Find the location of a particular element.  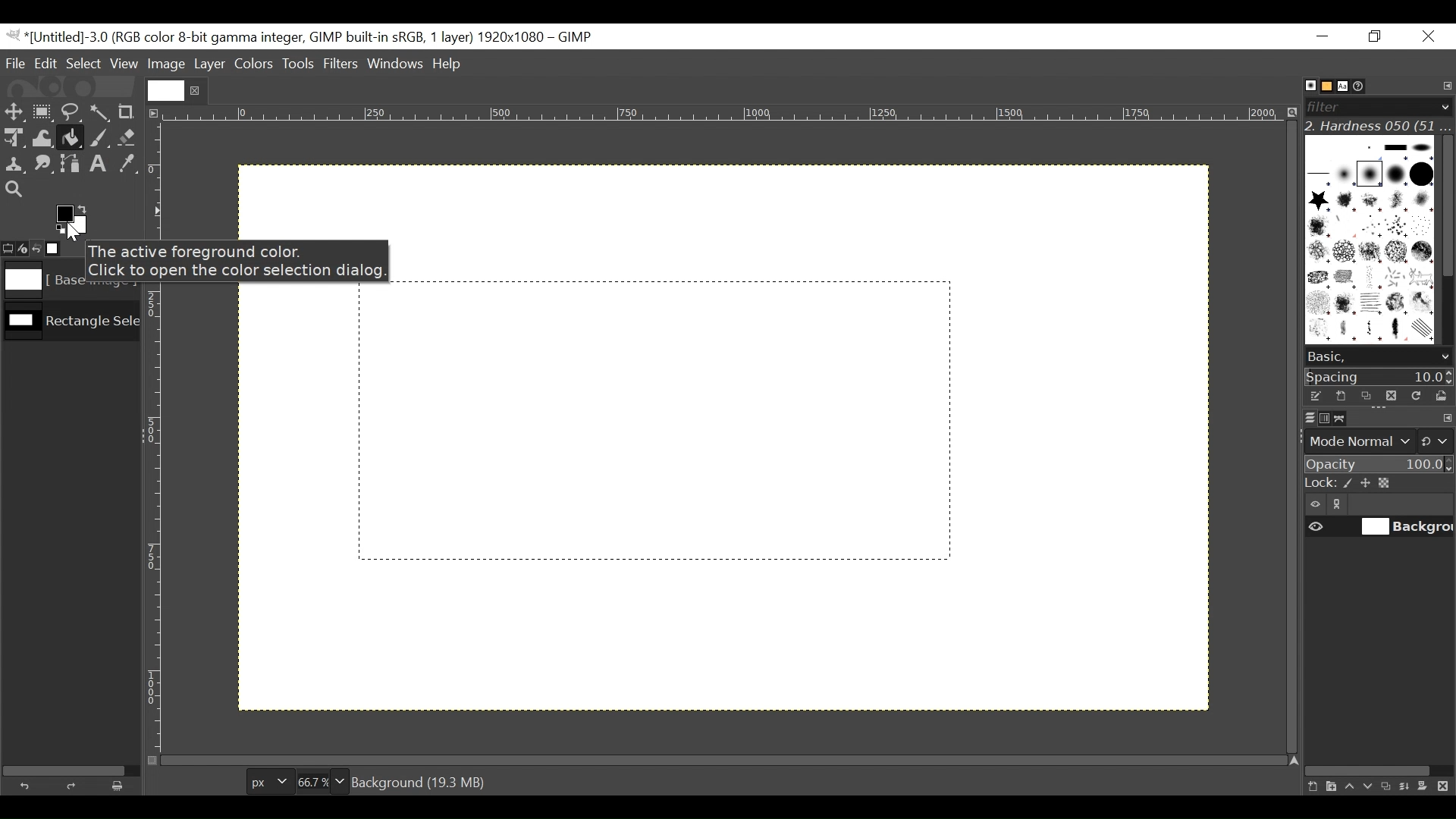

Eraser tool is located at coordinates (129, 139).